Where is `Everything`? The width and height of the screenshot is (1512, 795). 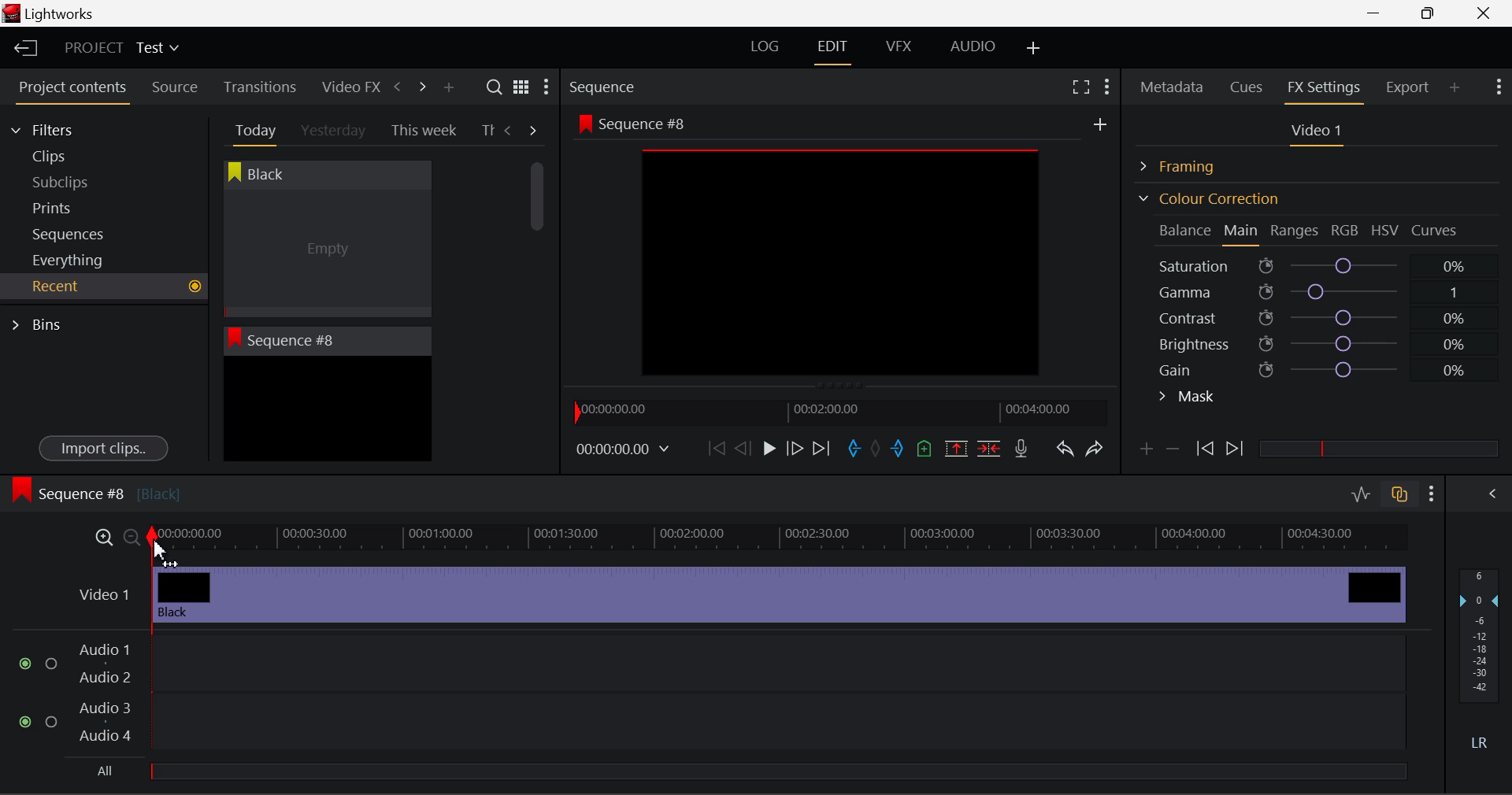 Everything is located at coordinates (70, 260).